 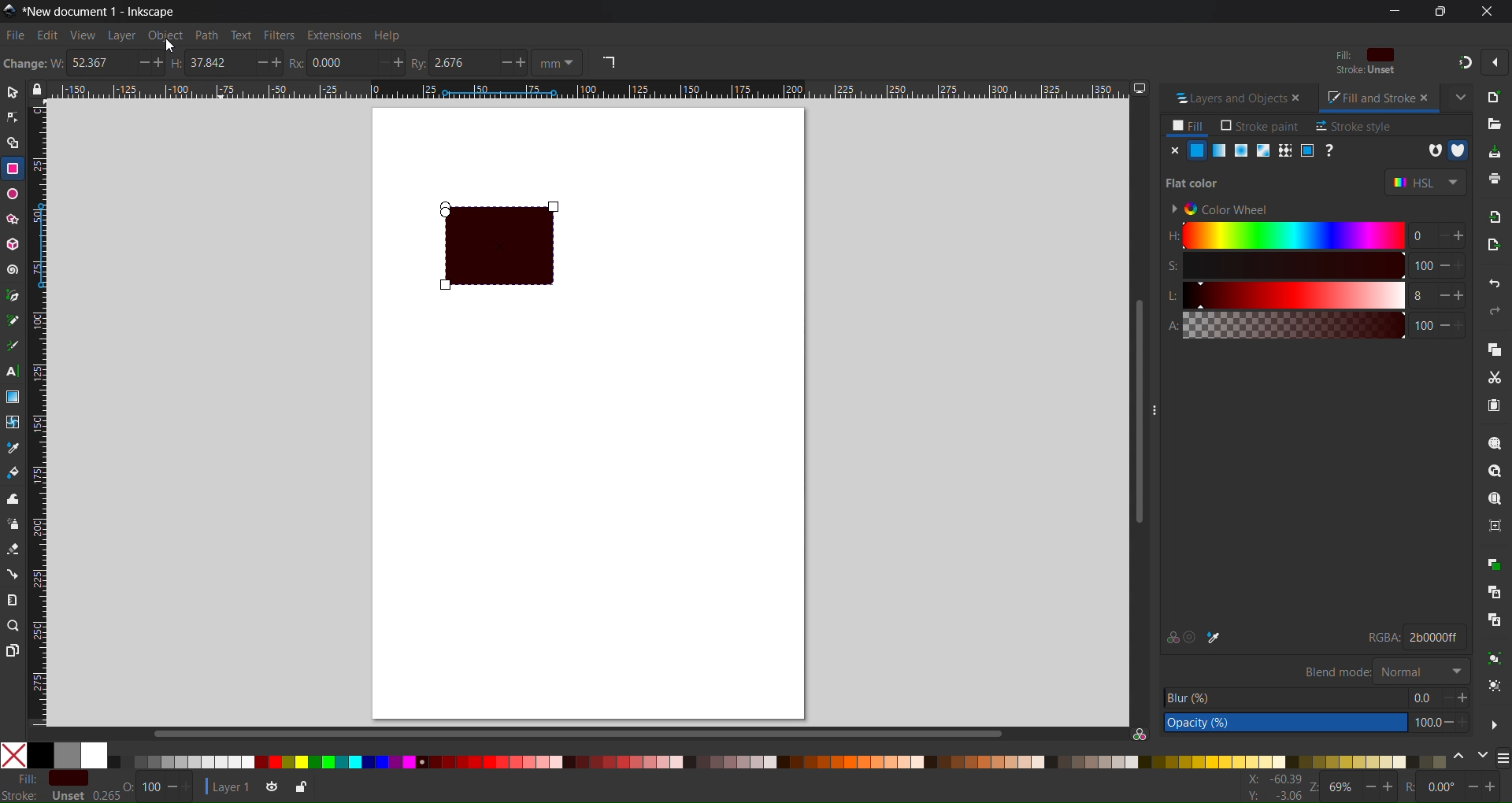 I want to click on Unlink clone, so click(x=1494, y=621).